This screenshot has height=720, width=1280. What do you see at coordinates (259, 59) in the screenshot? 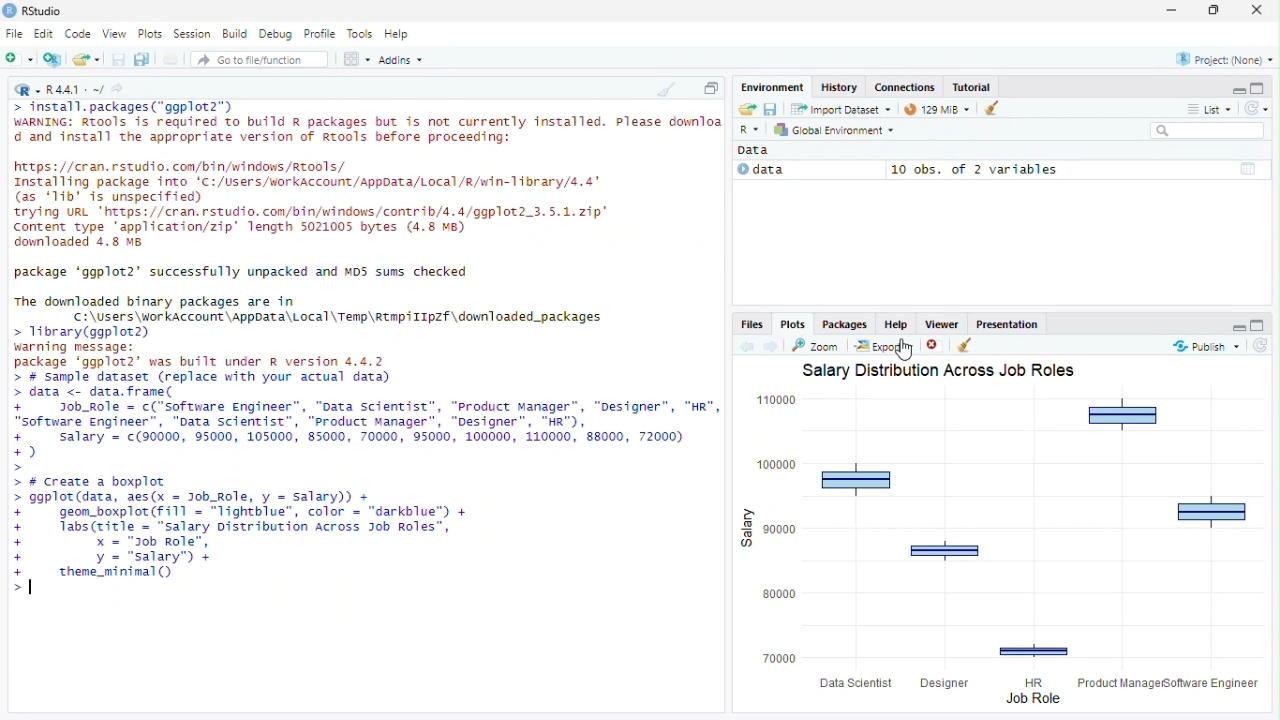
I see `Go to file/function` at bounding box center [259, 59].